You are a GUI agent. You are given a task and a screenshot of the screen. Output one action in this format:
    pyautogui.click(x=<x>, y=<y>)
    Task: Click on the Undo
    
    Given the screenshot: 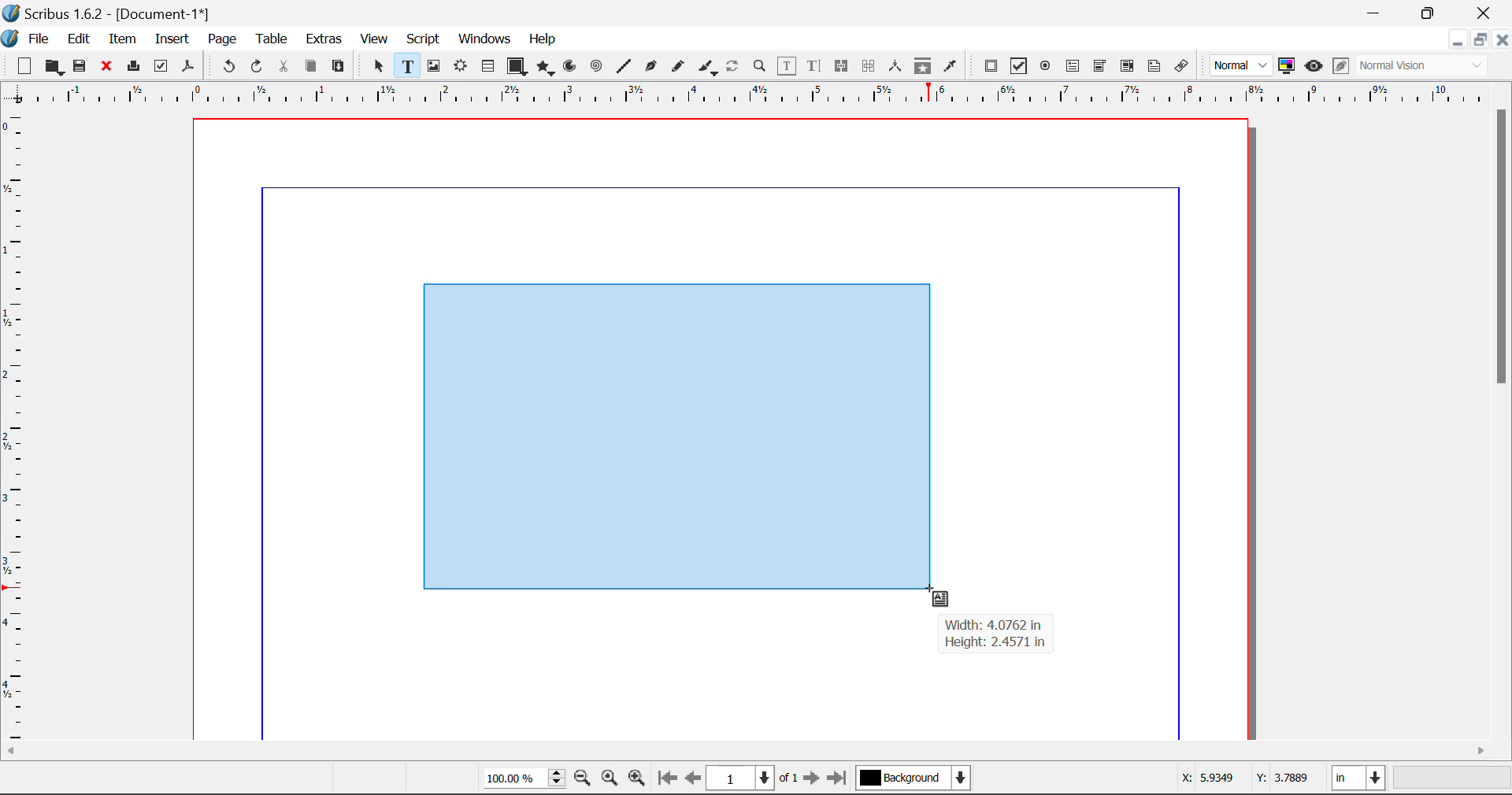 What is the action you would take?
    pyautogui.click(x=226, y=67)
    